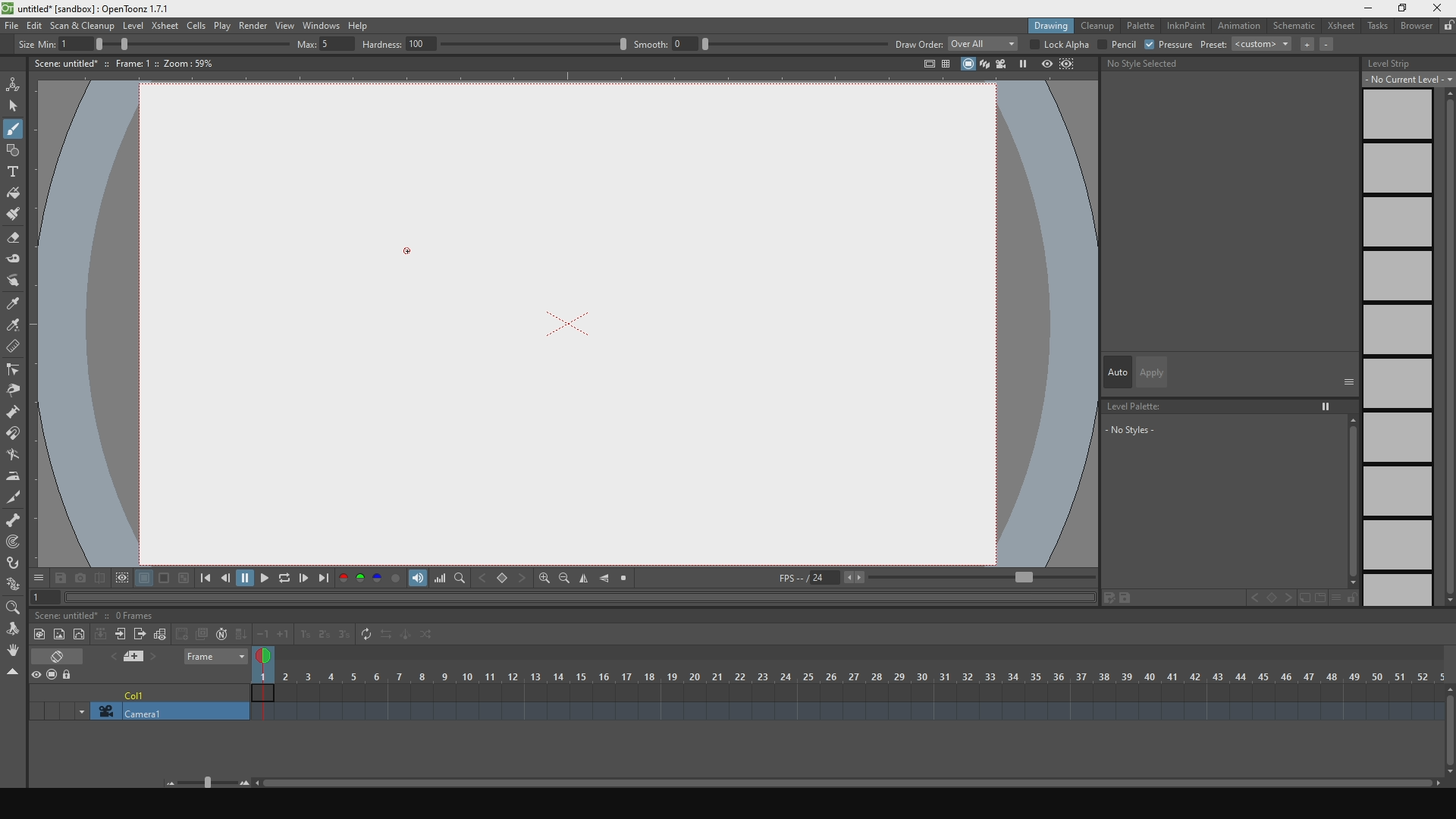 This screenshot has height=819, width=1456. Describe the element at coordinates (121, 580) in the screenshot. I see `define region` at that location.